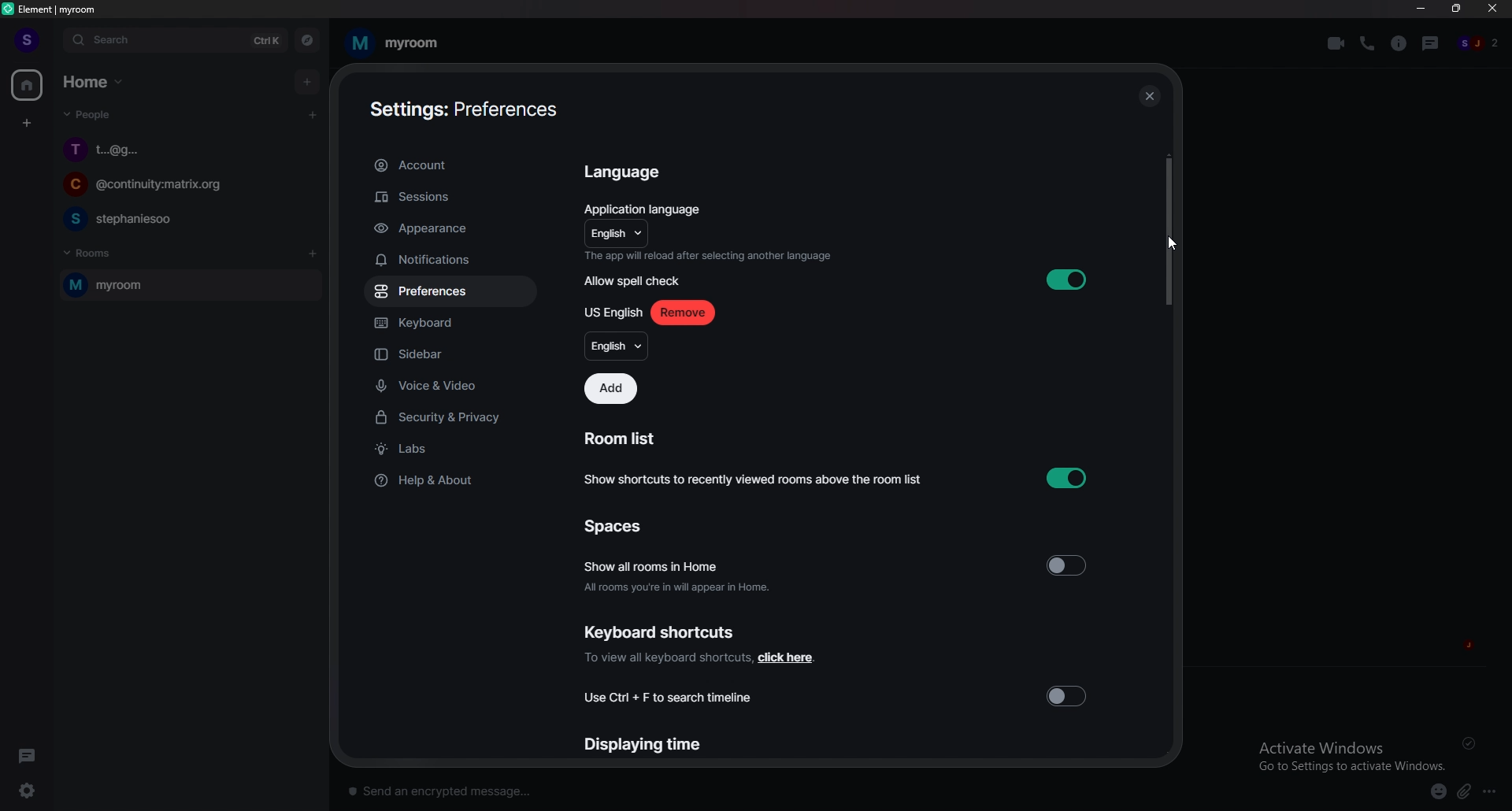 This screenshot has width=1512, height=811. I want to click on minimize, so click(1421, 9).